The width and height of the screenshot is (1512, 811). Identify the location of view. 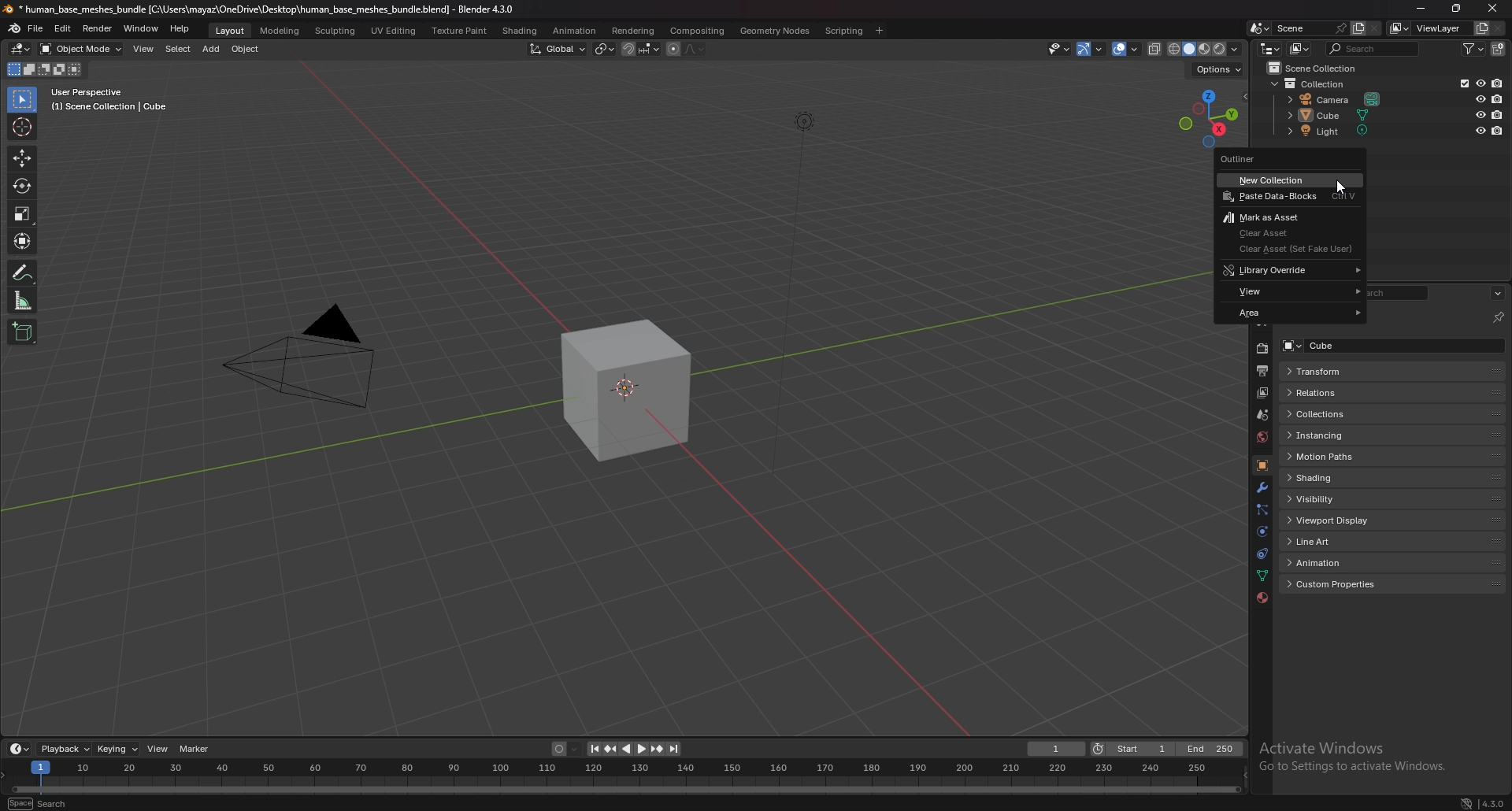
(159, 748).